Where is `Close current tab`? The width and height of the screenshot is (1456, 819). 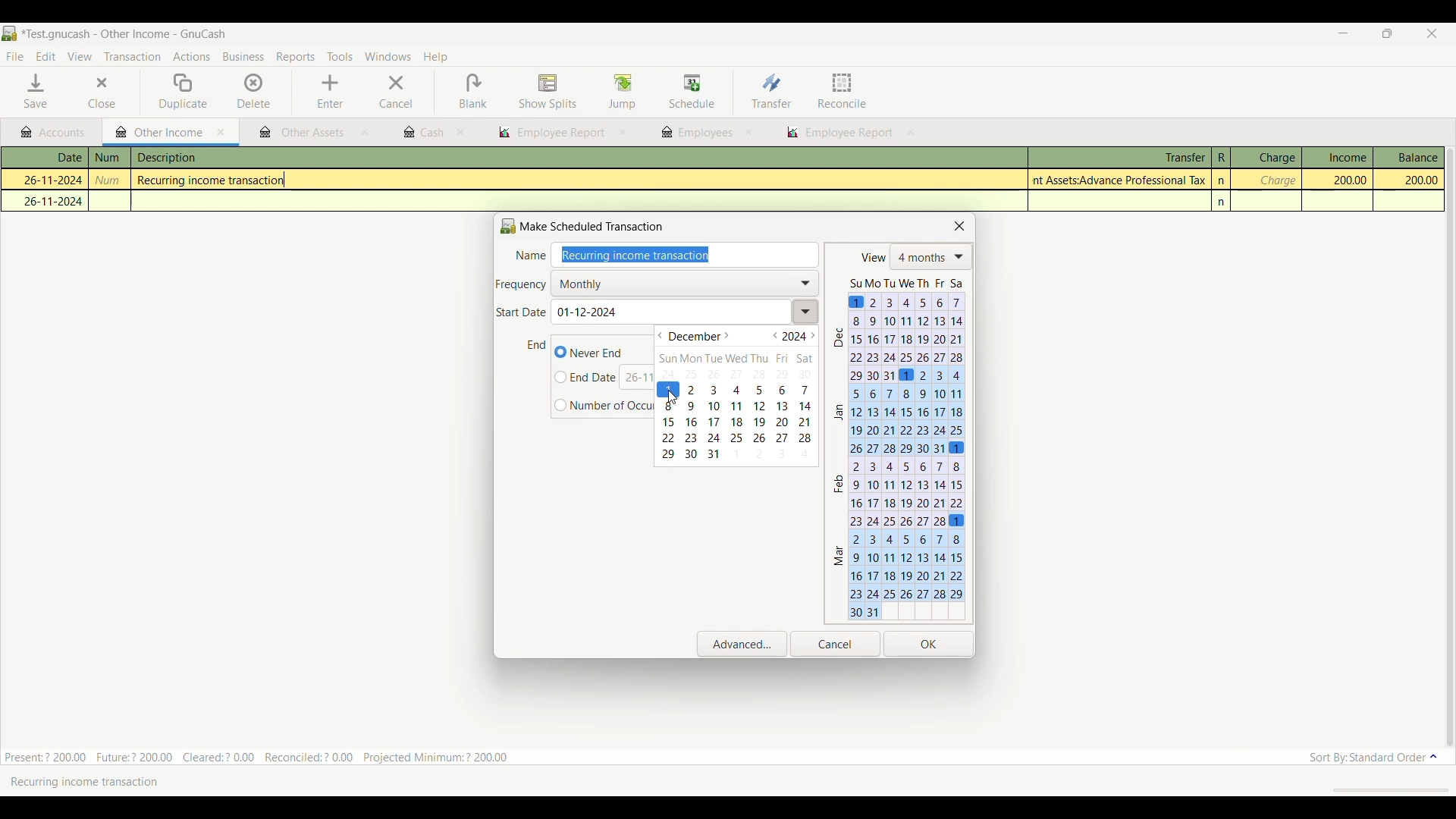 Close current tab is located at coordinates (221, 133).